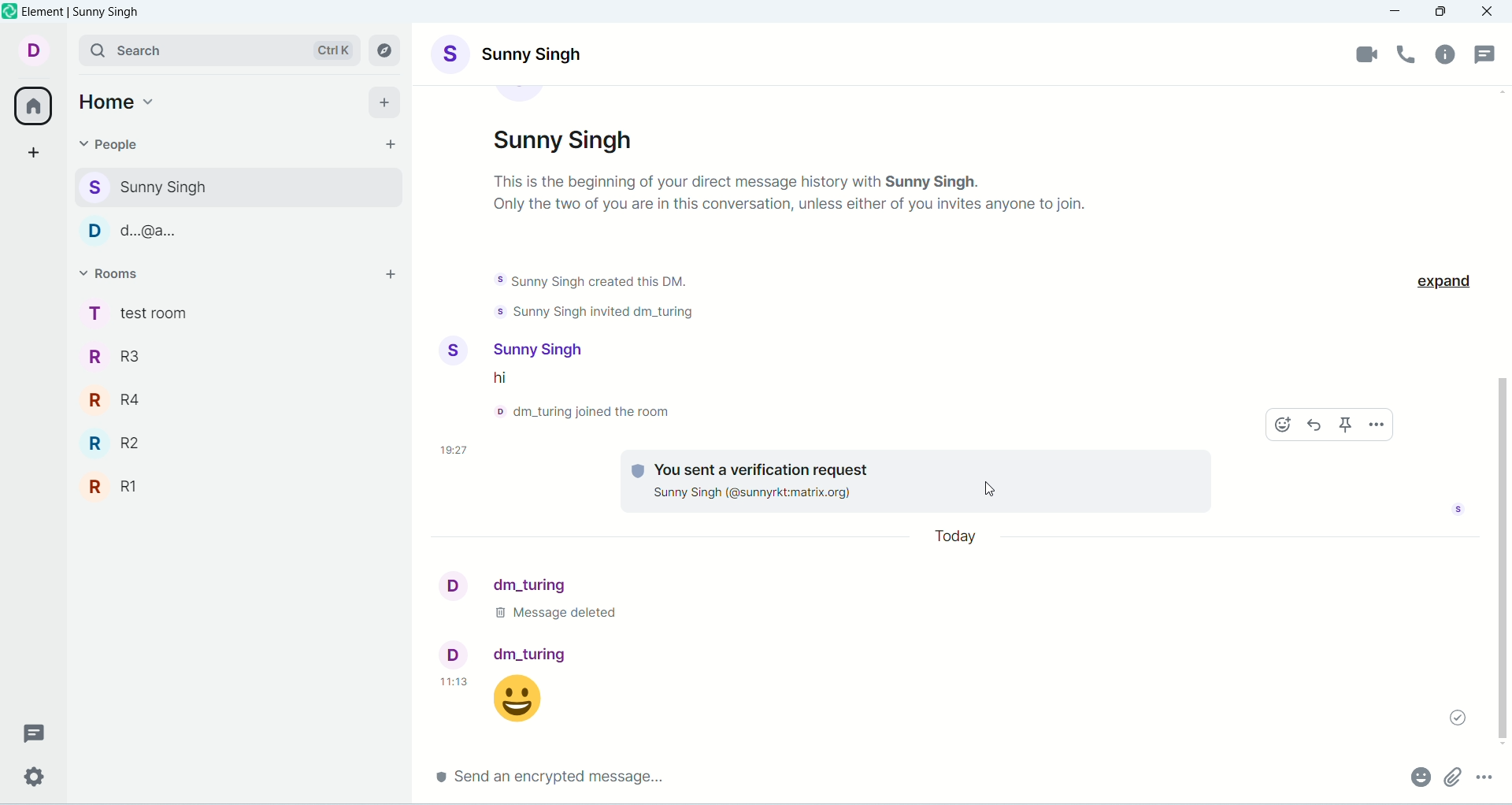  What do you see at coordinates (239, 394) in the screenshot?
I see `R4` at bounding box center [239, 394].